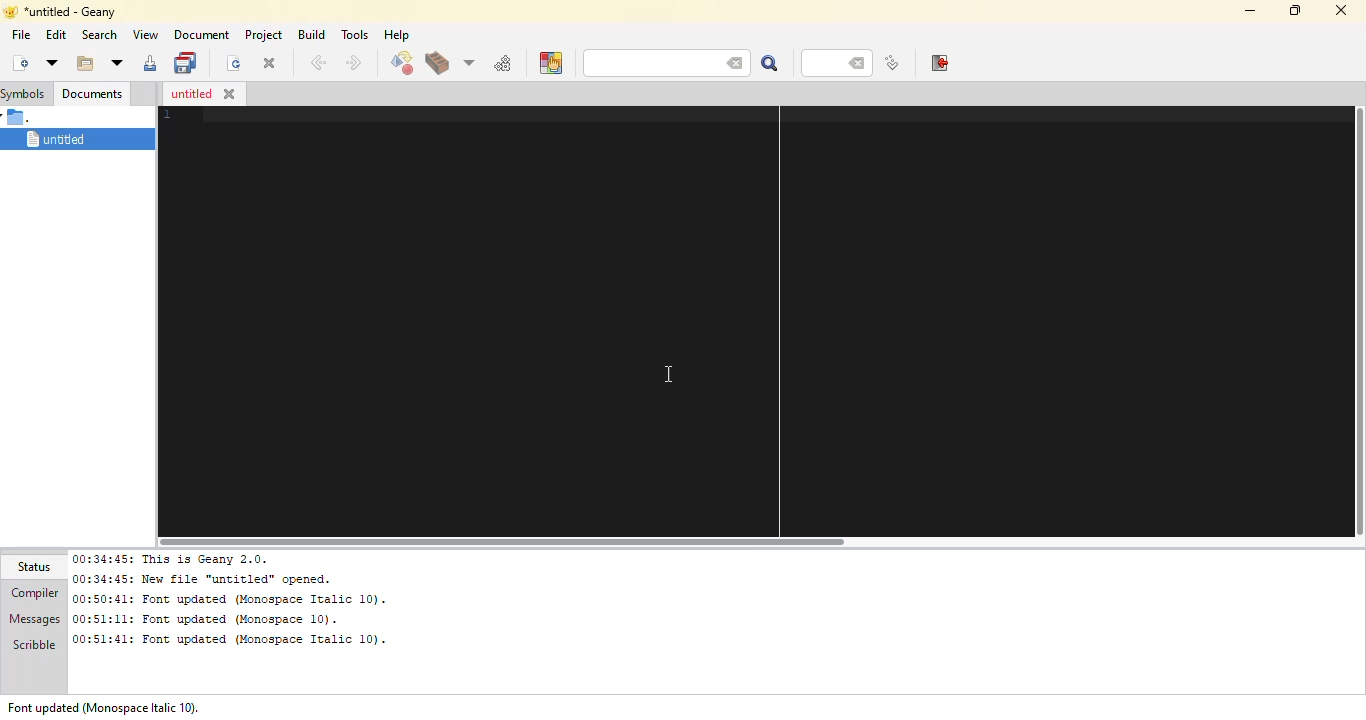 The width and height of the screenshot is (1366, 720). What do you see at coordinates (730, 61) in the screenshot?
I see `back space` at bounding box center [730, 61].